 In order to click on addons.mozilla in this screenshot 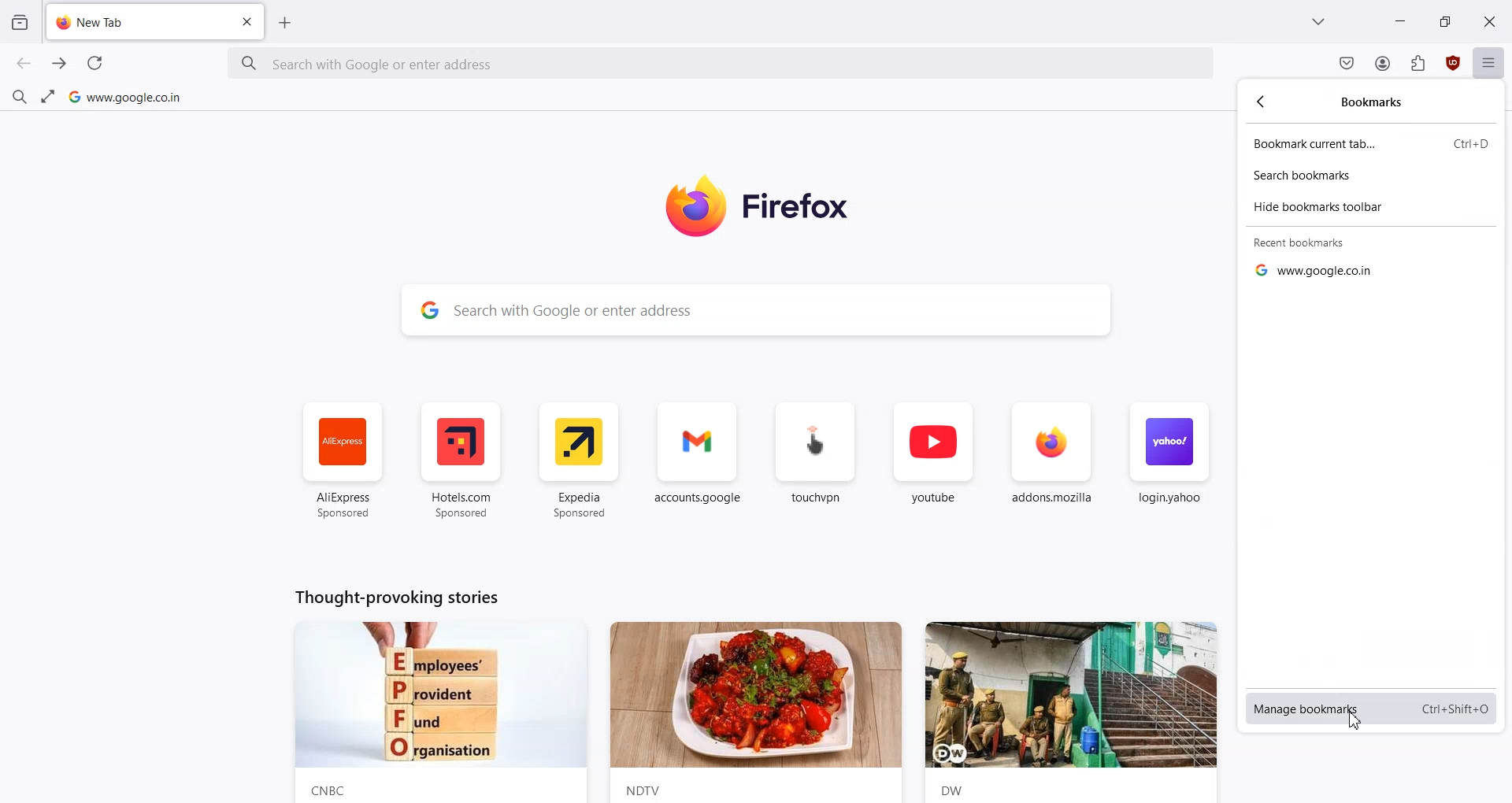, I will do `click(1052, 463)`.